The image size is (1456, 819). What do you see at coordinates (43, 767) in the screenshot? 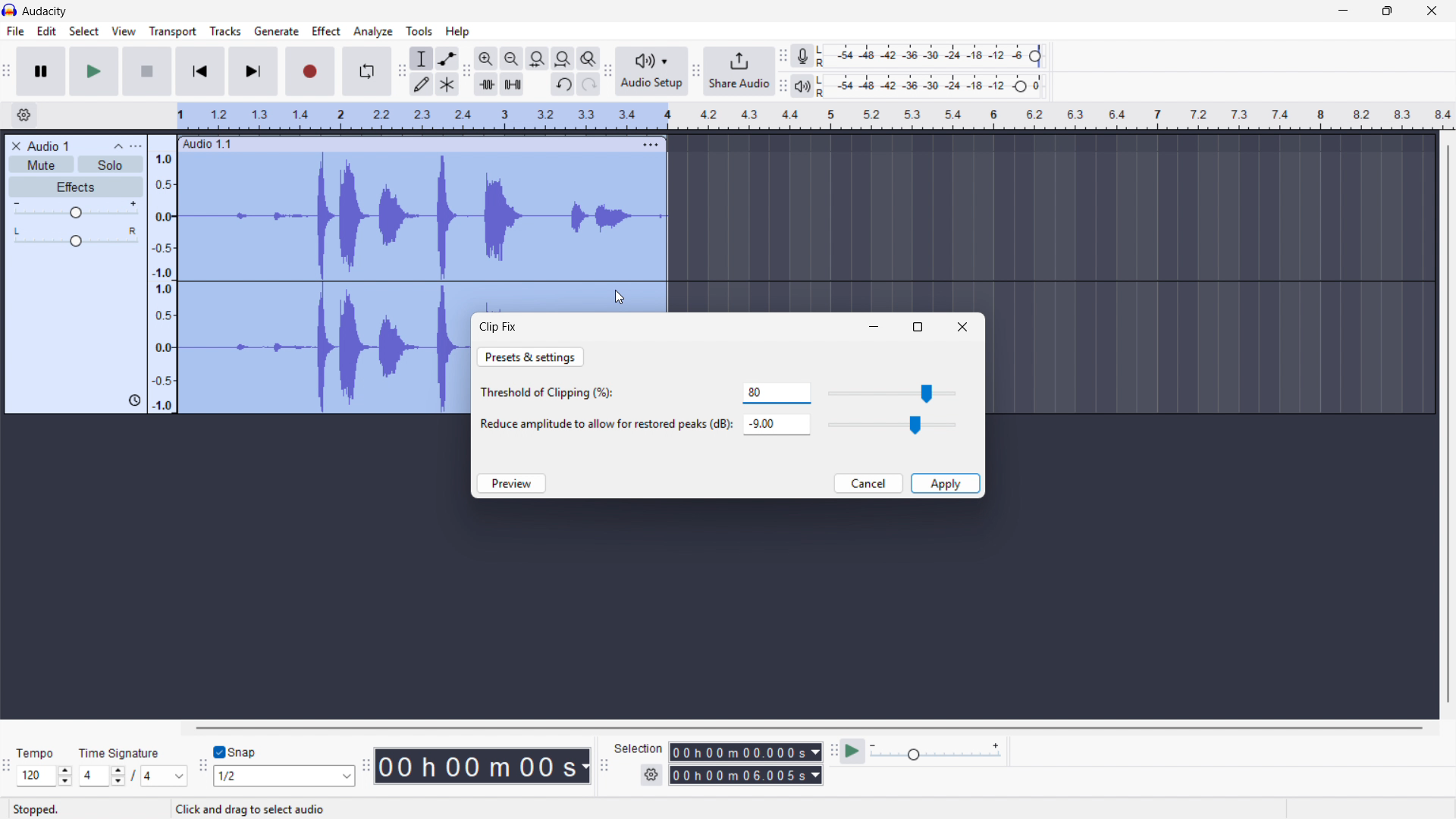
I see `Set tempo` at bounding box center [43, 767].